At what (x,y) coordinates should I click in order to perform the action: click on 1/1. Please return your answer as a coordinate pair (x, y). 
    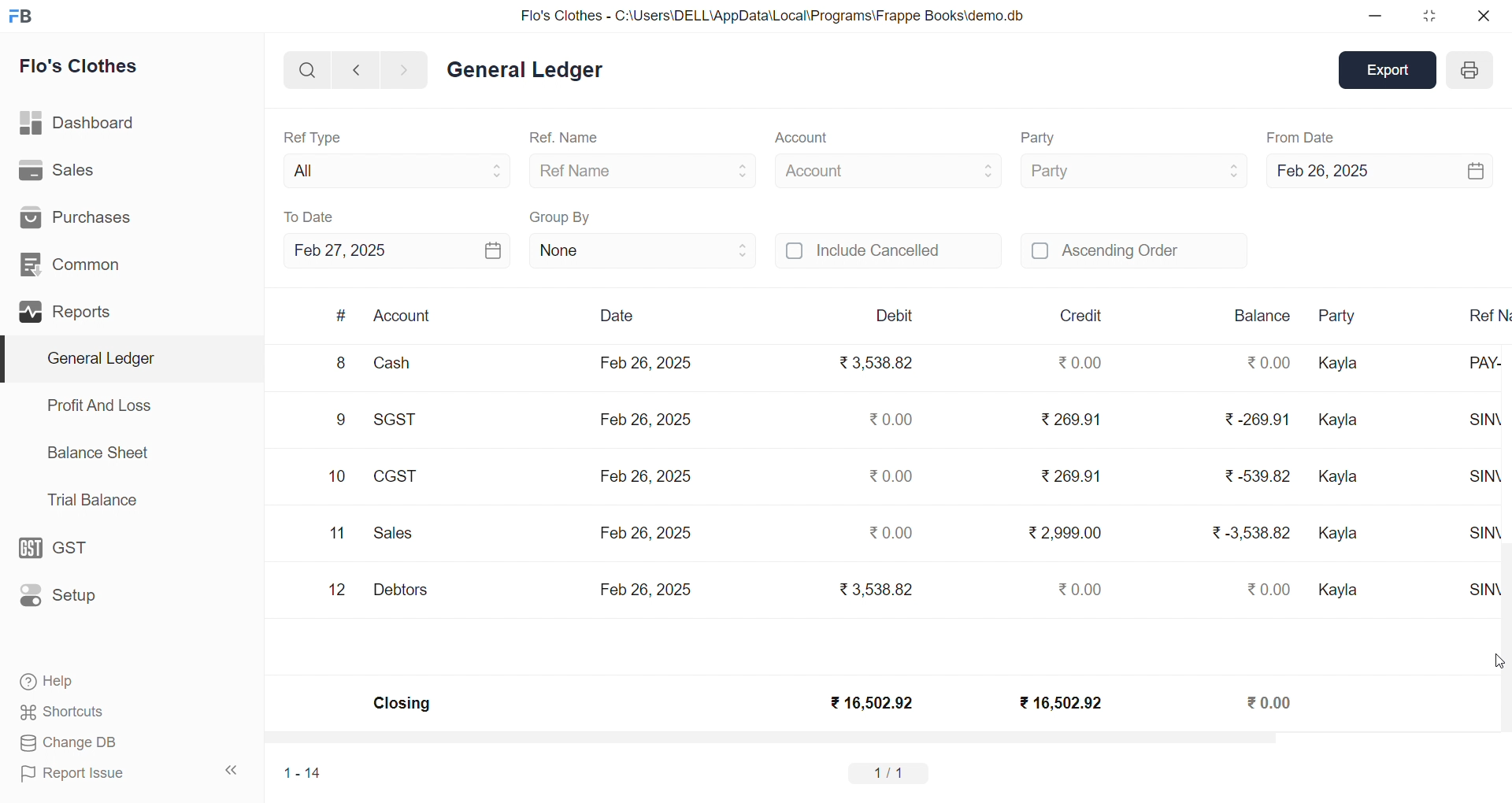
    Looking at the image, I should click on (892, 772).